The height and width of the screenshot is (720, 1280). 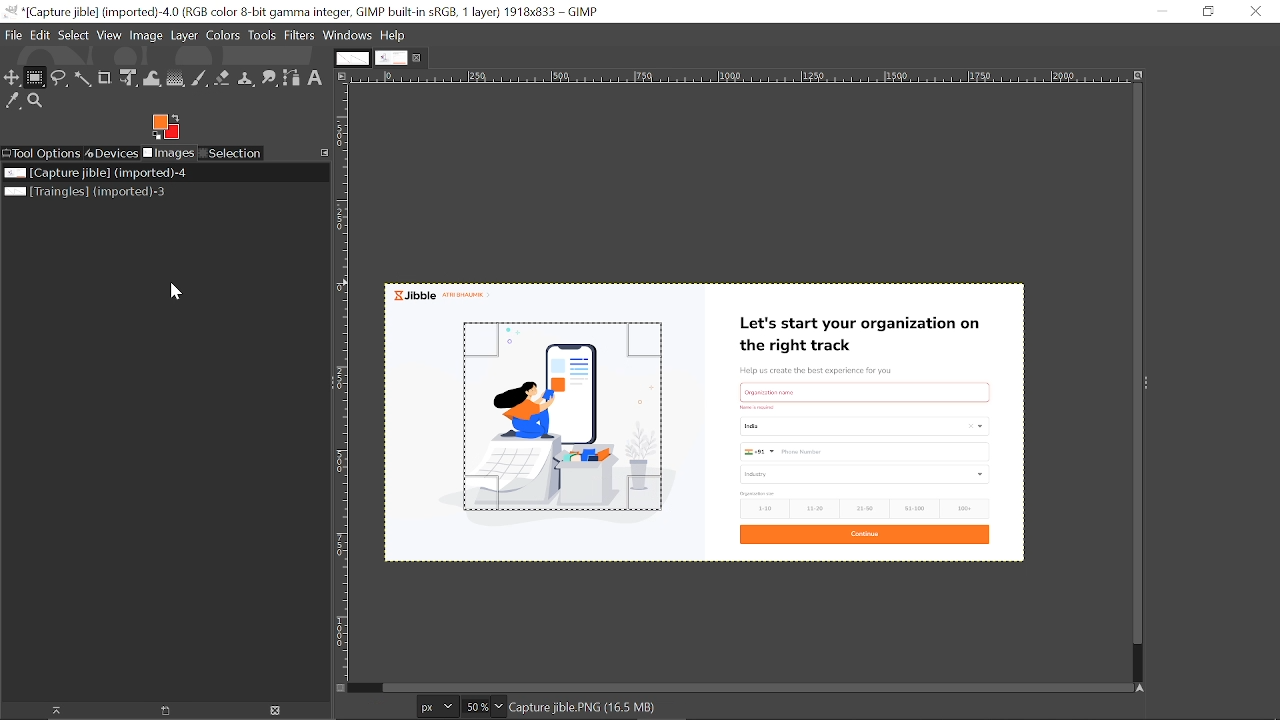 I want to click on Close image, so click(x=278, y=710).